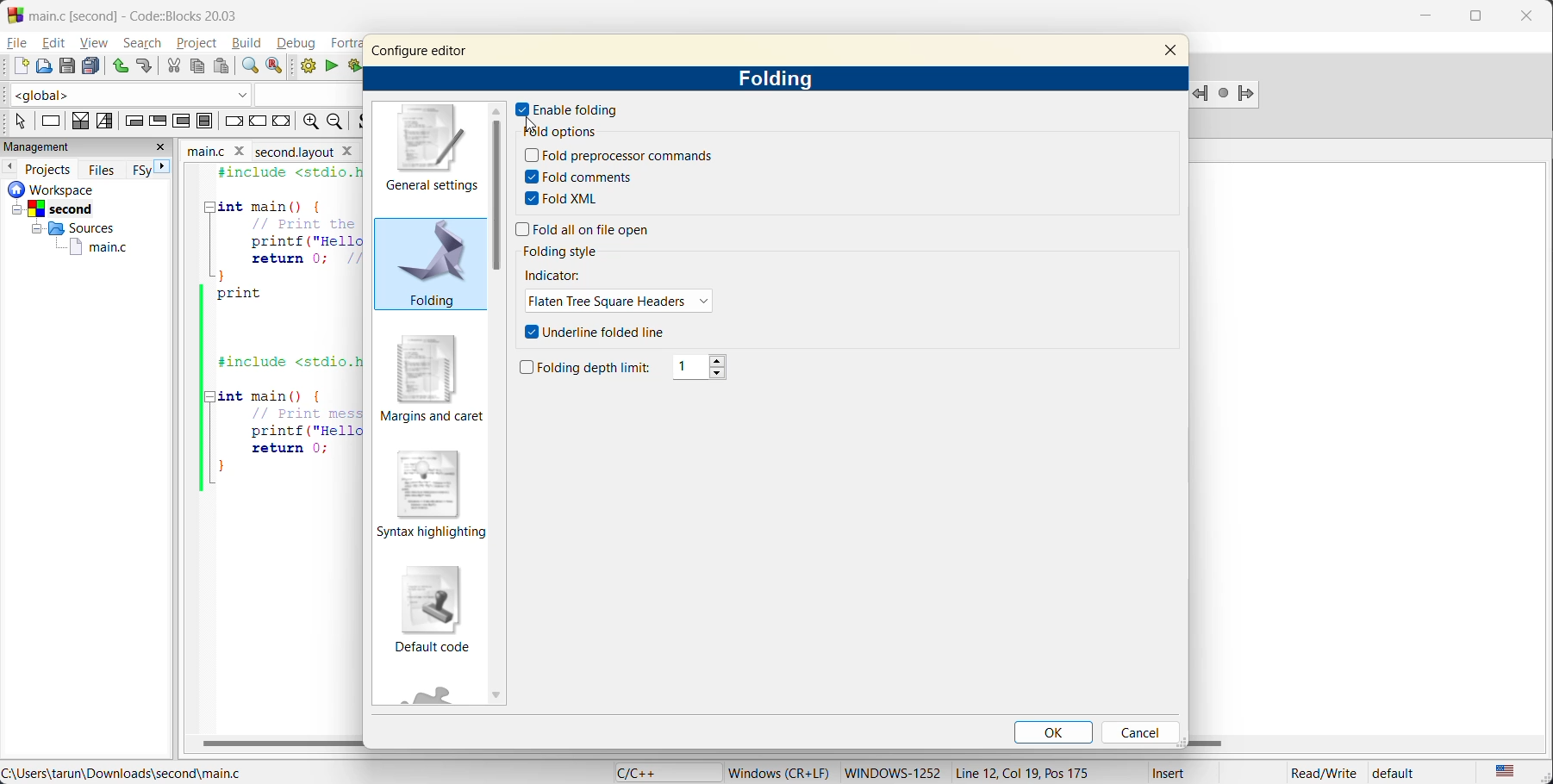  Describe the element at coordinates (169, 15) in the screenshot. I see `app name and file name` at that location.